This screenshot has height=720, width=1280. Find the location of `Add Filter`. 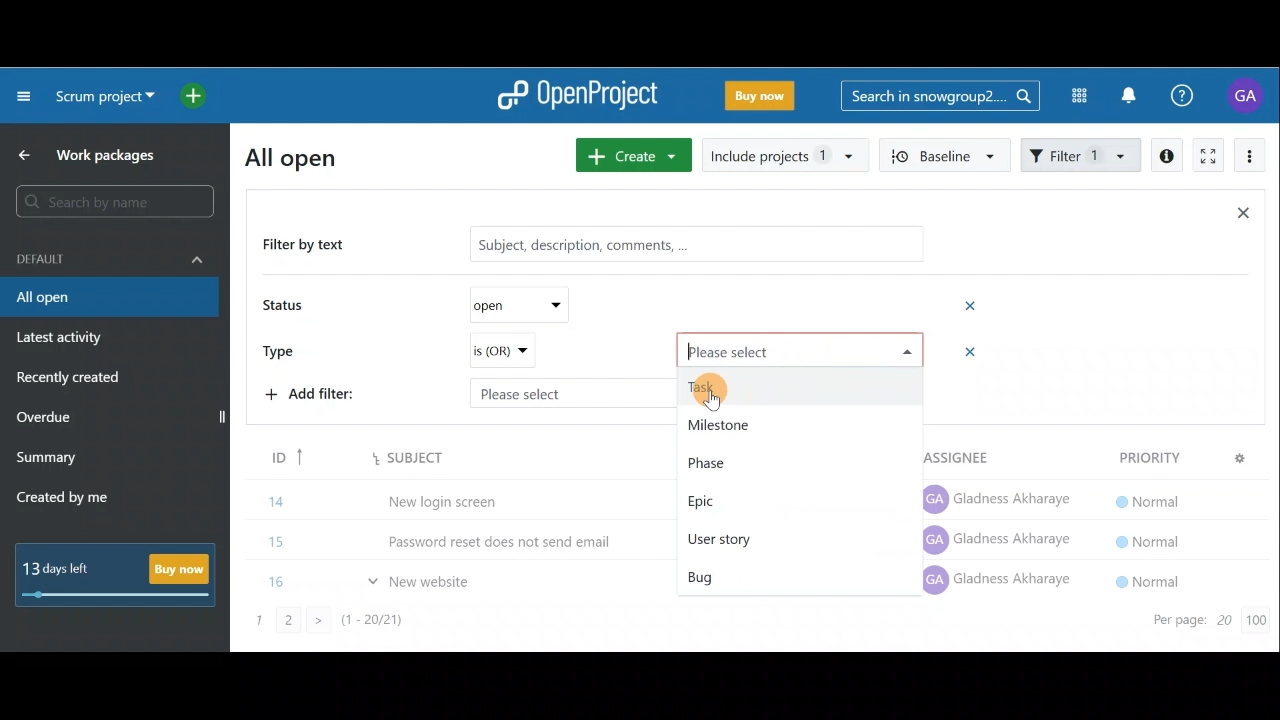

Add Filter is located at coordinates (316, 397).